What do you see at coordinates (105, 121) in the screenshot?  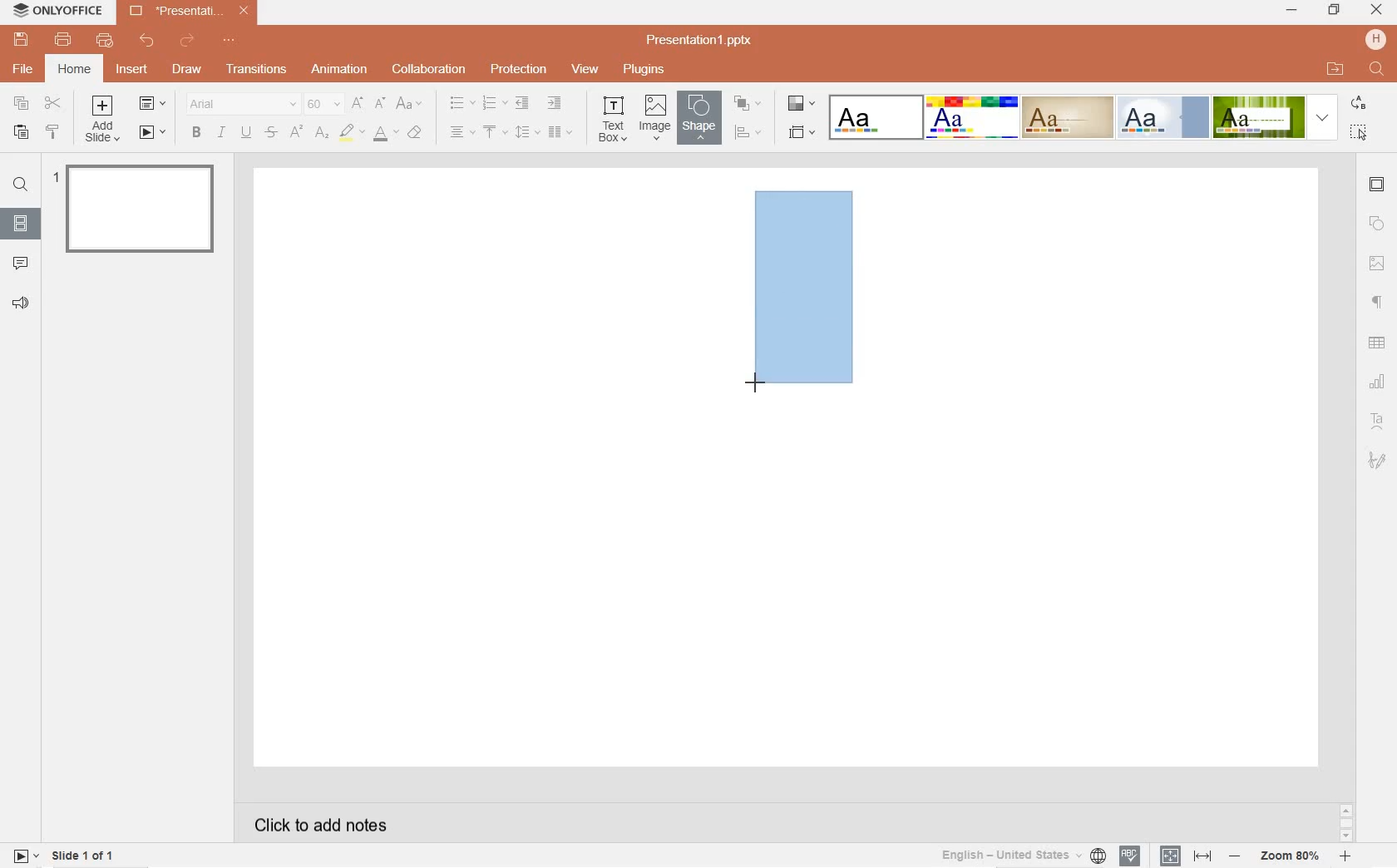 I see `add slide` at bounding box center [105, 121].